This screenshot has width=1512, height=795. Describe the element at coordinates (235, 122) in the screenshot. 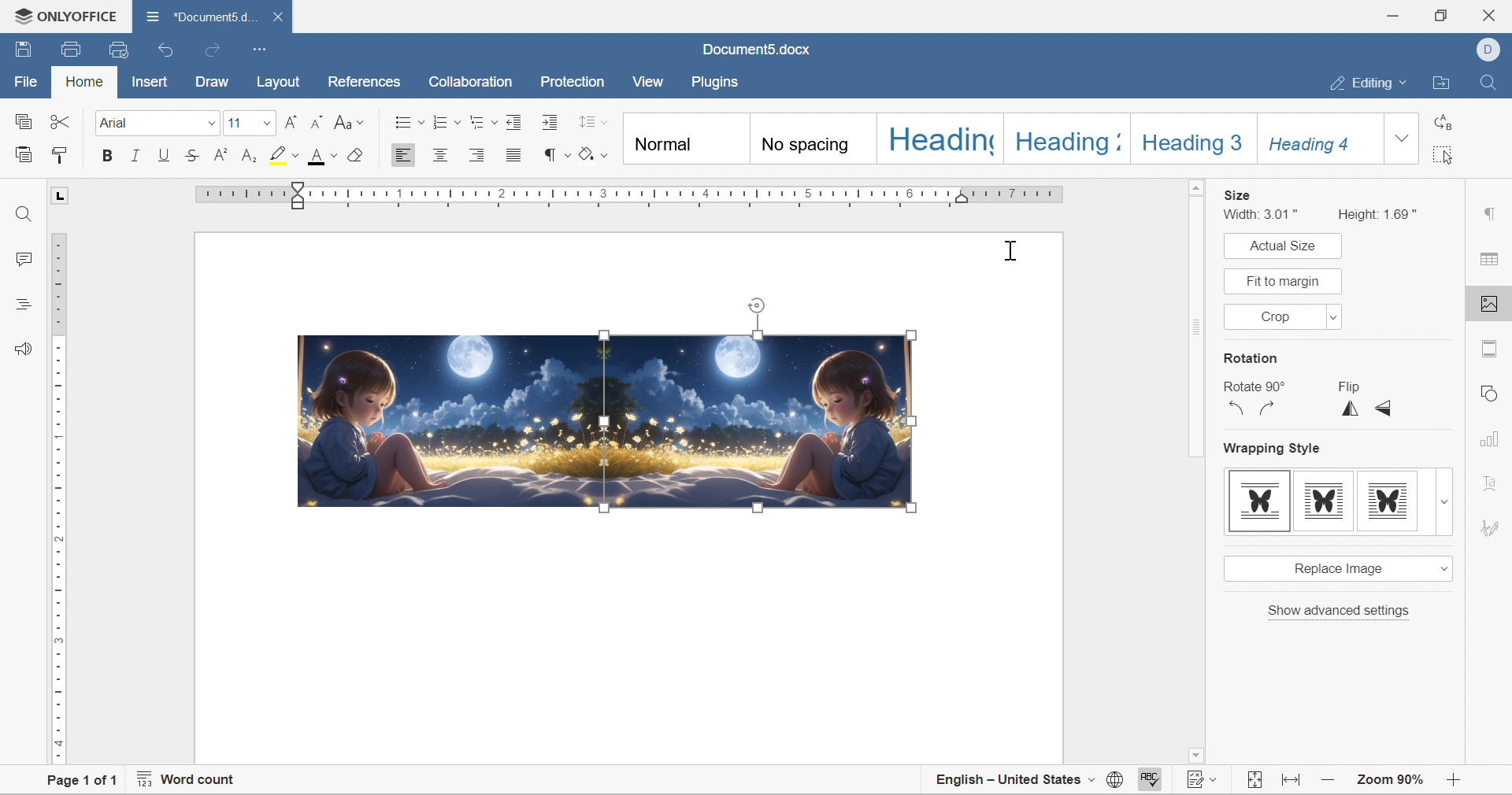

I see `font size` at that location.